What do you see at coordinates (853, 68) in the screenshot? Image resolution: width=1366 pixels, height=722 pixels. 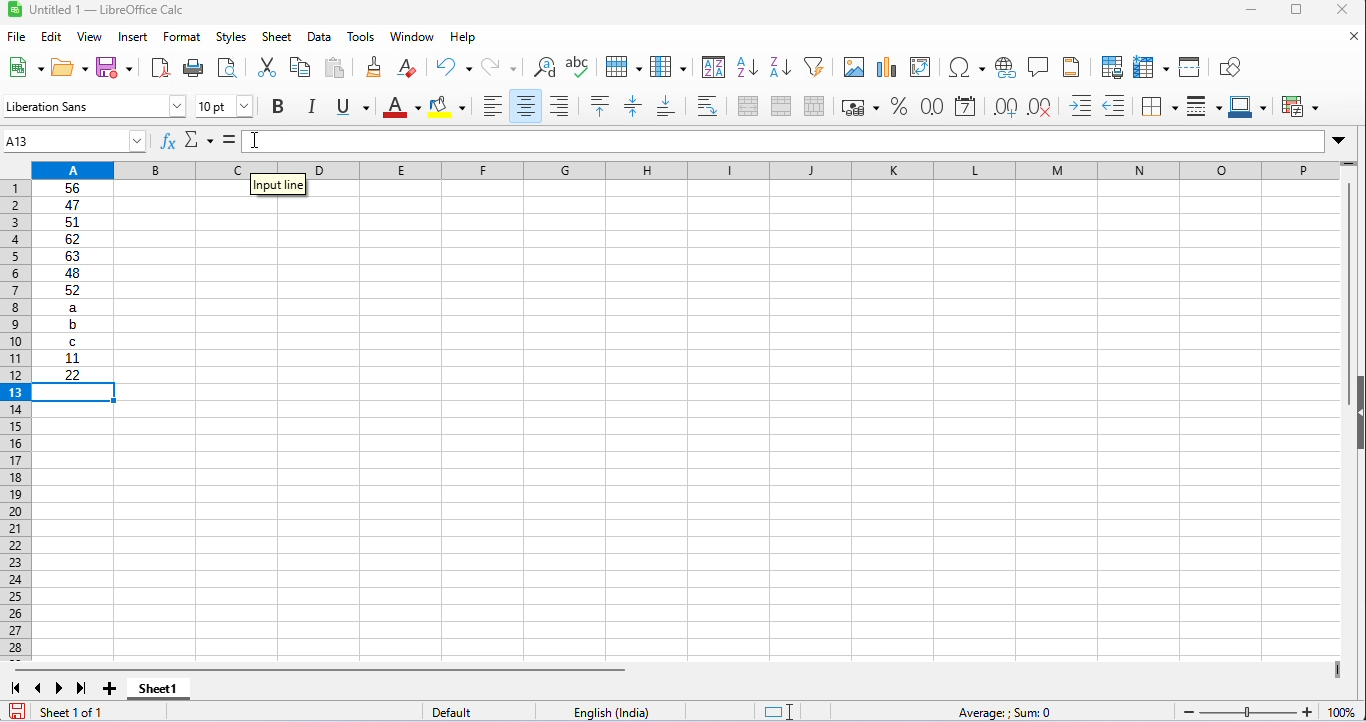 I see `insert image` at bounding box center [853, 68].